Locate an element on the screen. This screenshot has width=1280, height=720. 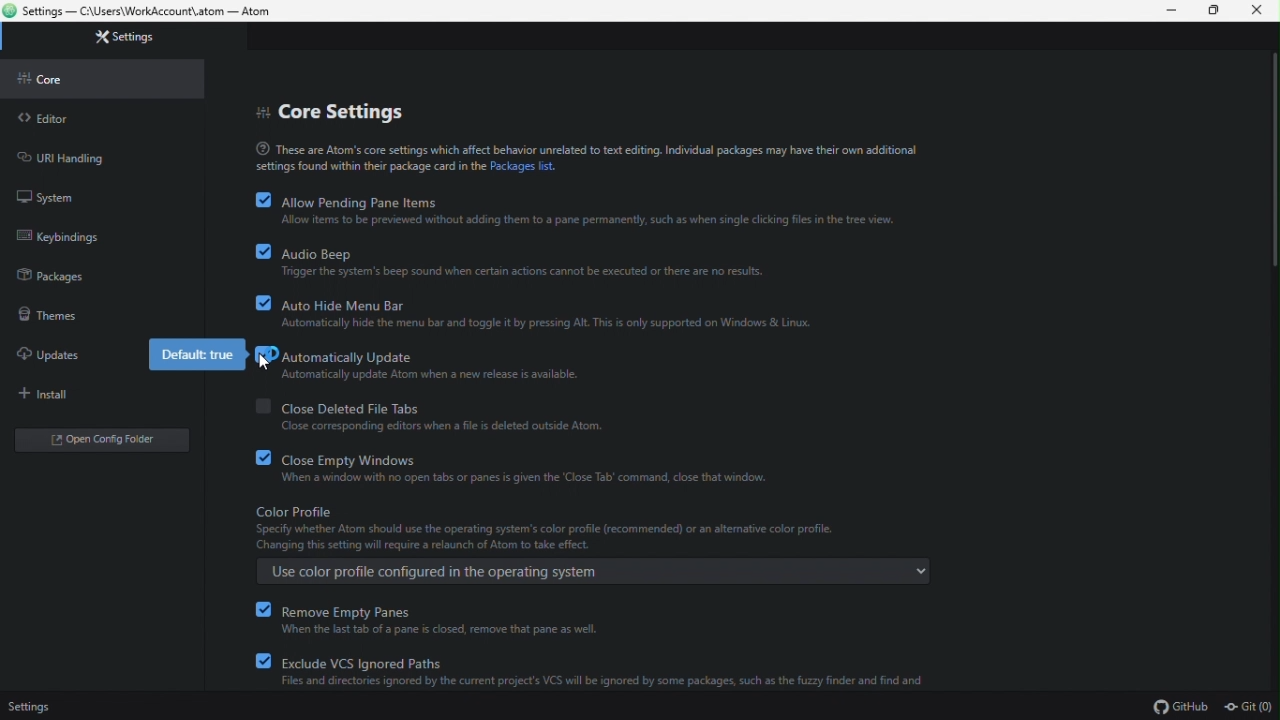
Settings is located at coordinates (32, 704).